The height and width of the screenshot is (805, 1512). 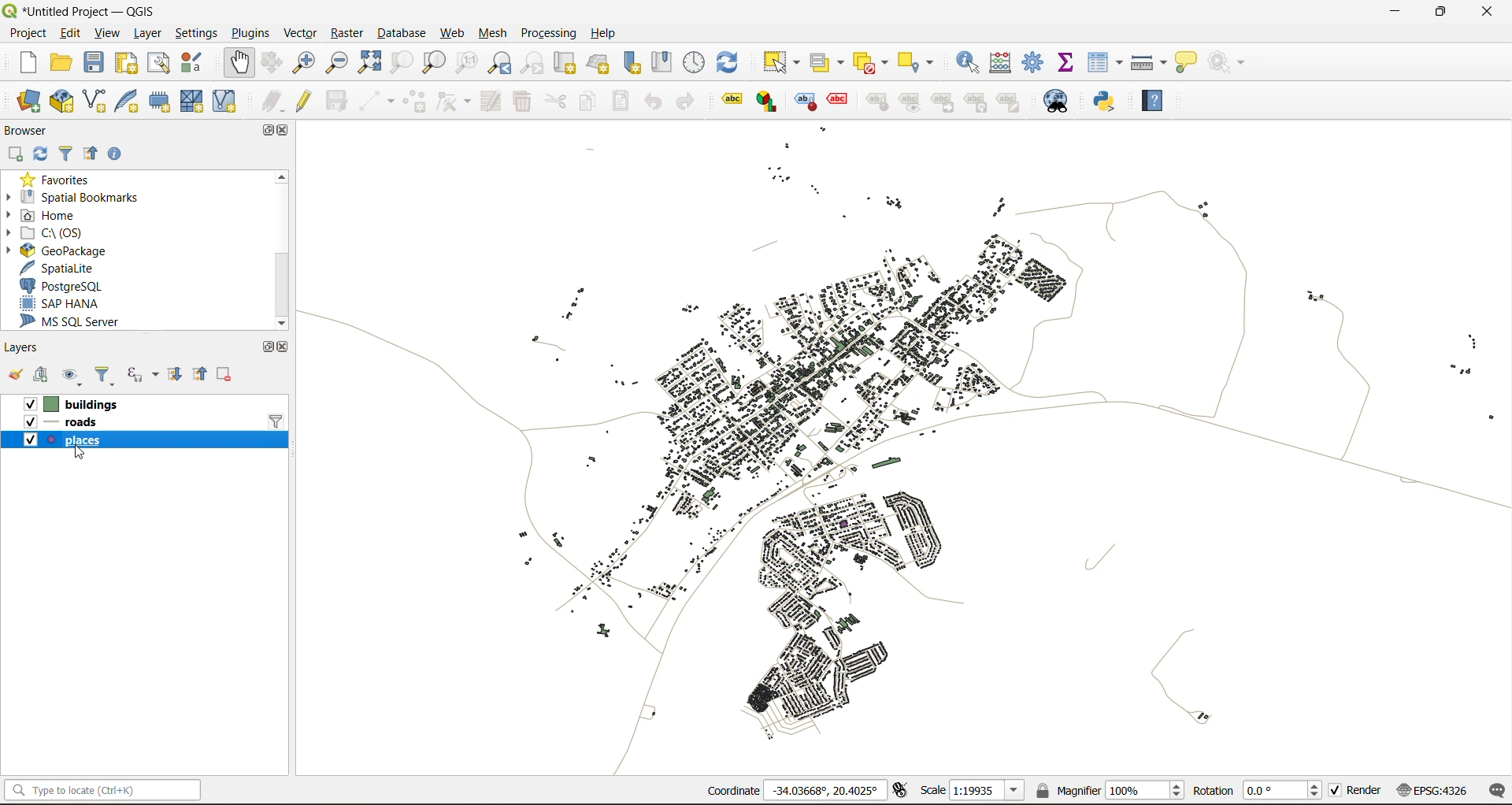 What do you see at coordinates (242, 62) in the screenshot?
I see `pan map` at bounding box center [242, 62].